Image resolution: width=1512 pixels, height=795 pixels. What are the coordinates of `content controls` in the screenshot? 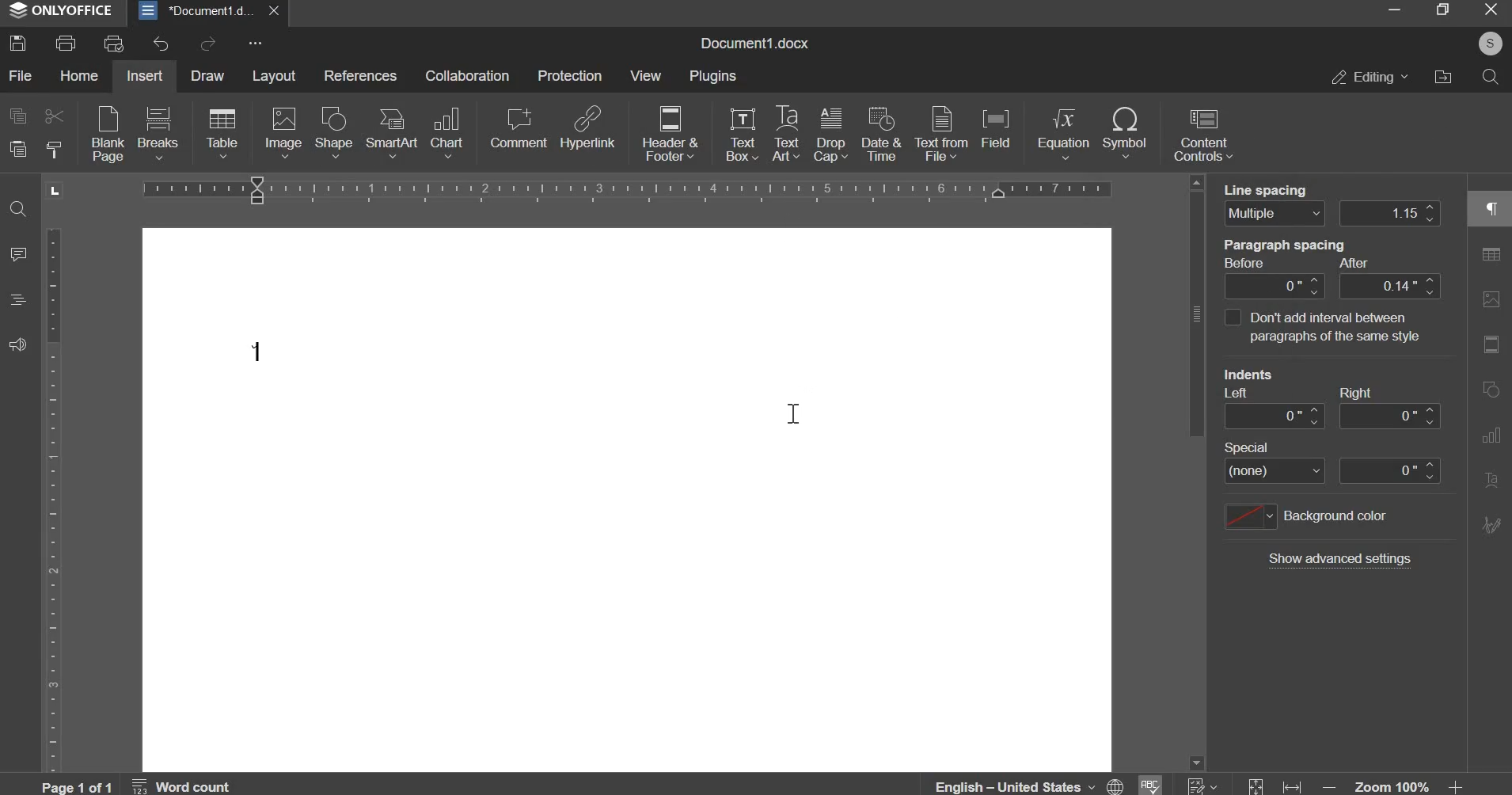 It's located at (1203, 134).